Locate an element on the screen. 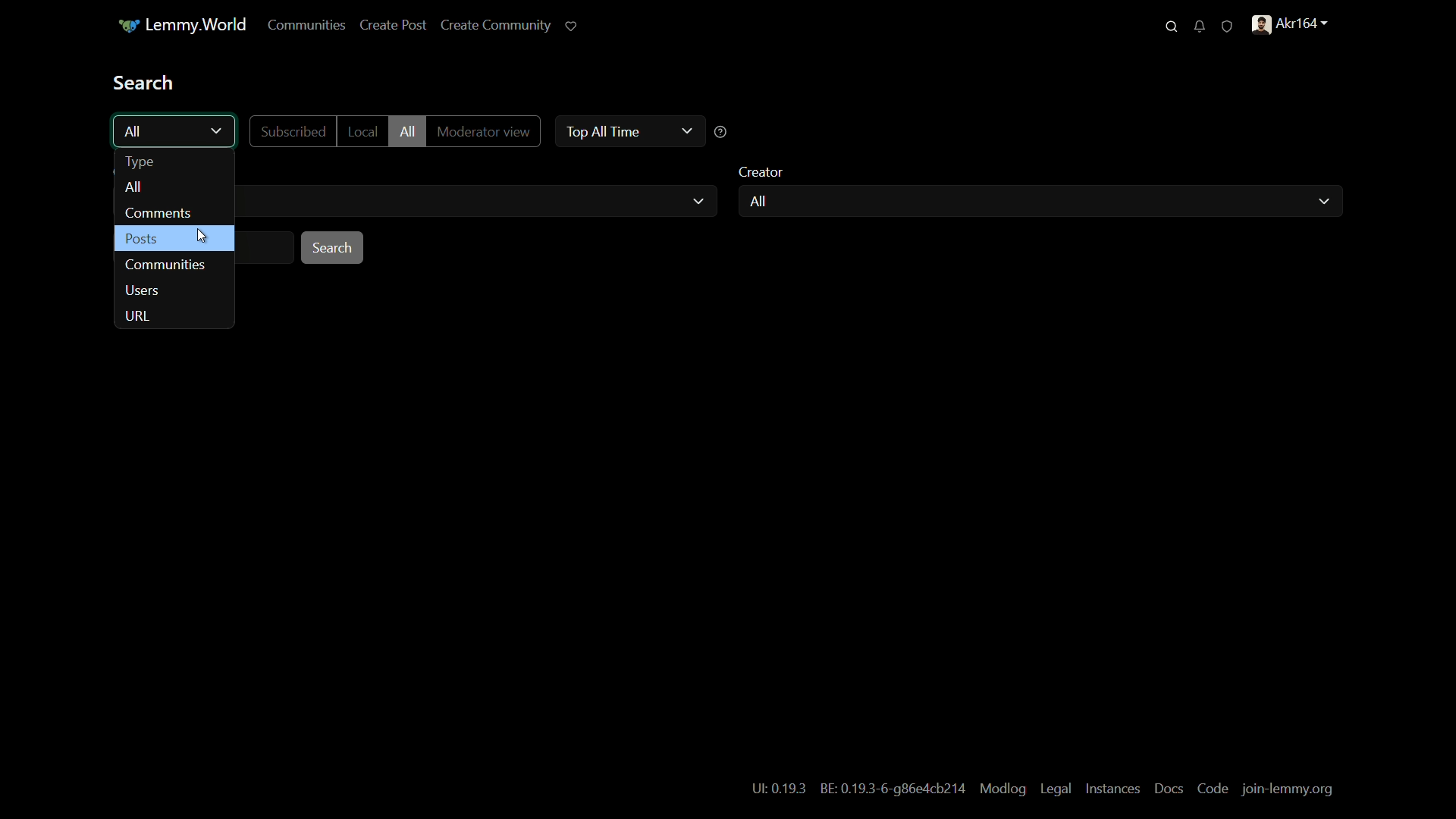 The width and height of the screenshot is (1456, 819). unread reports is located at coordinates (1227, 25).